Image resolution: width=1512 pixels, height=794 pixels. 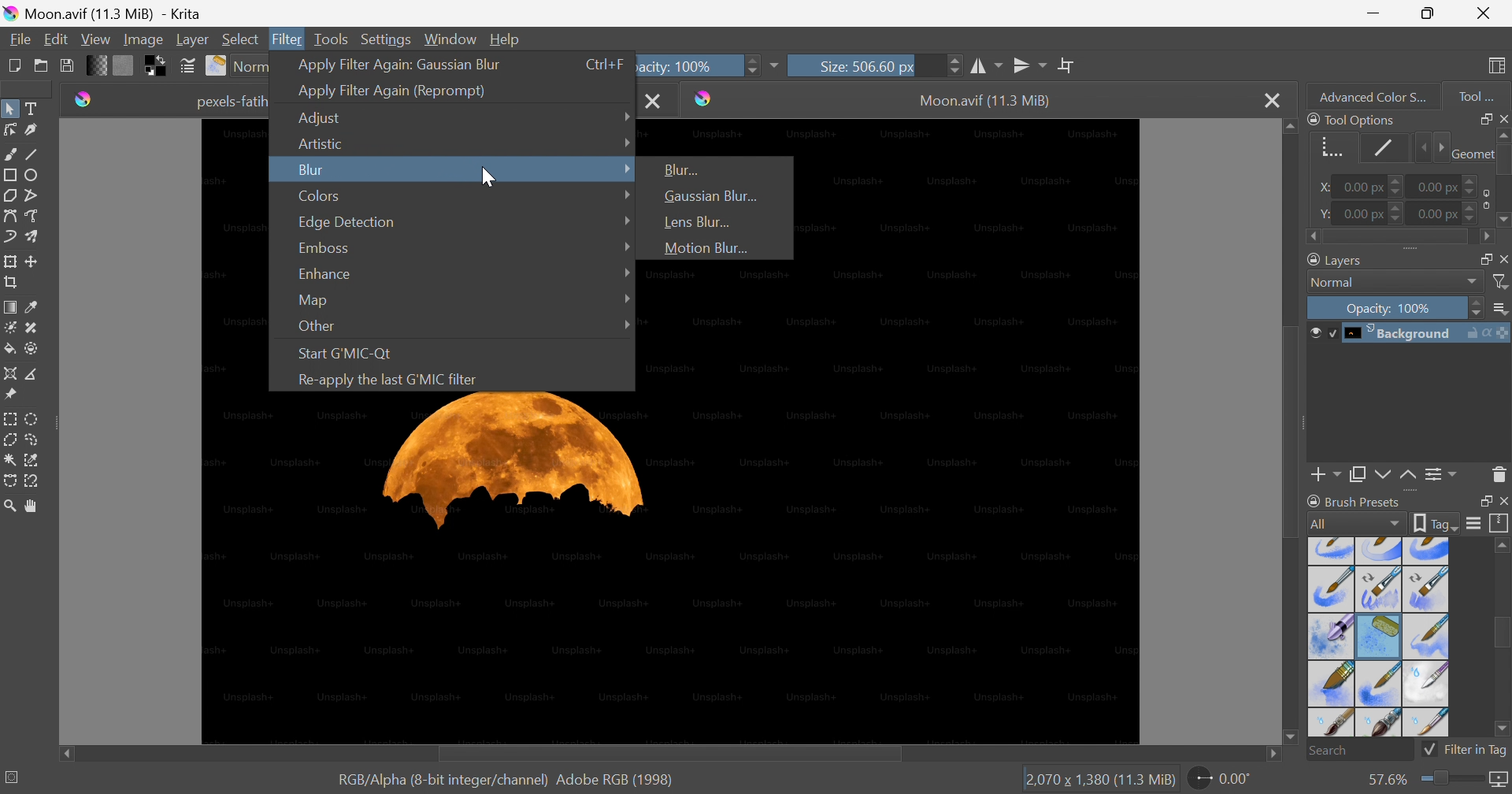 I want to click on Size: 506.60 px, so click(x=875, y=65).